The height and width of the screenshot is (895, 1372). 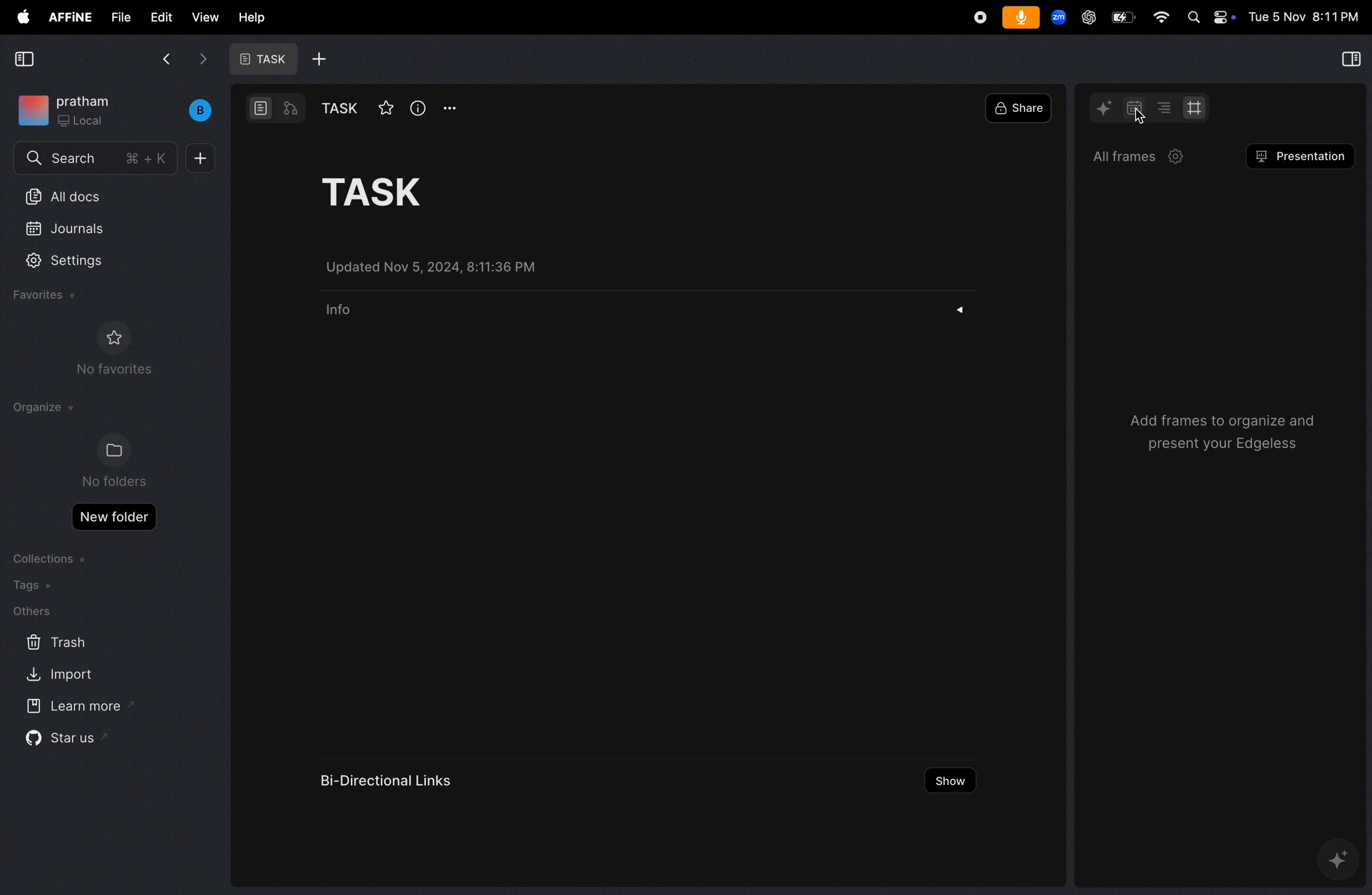 What do you see at coordinates (292, 110) in the screenshot?
I see `workflow` at bounding box center [292, 110].